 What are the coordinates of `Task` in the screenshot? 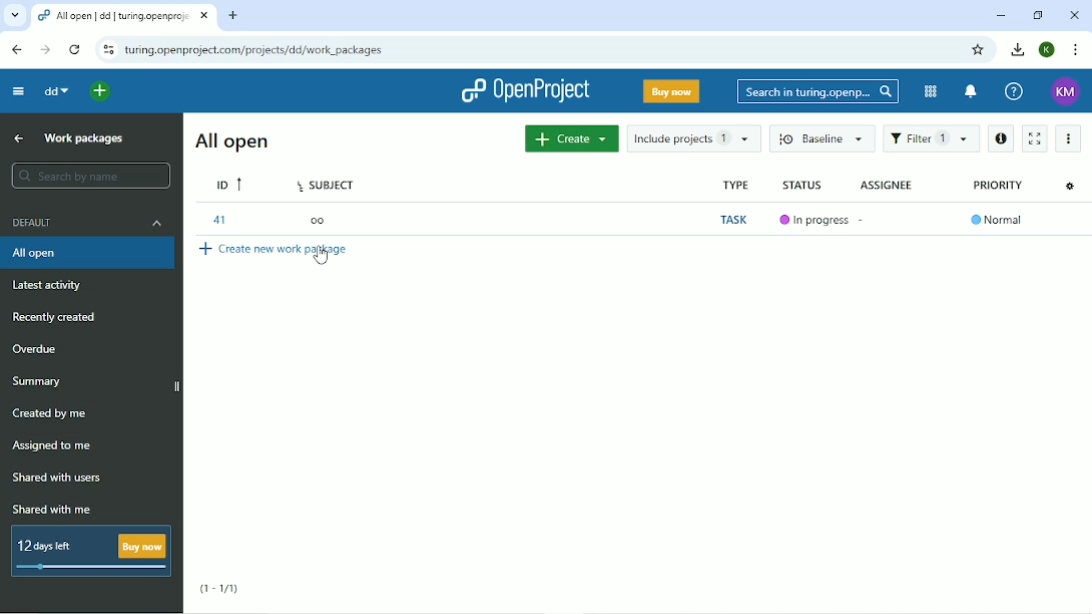 It's located at (732, 218).